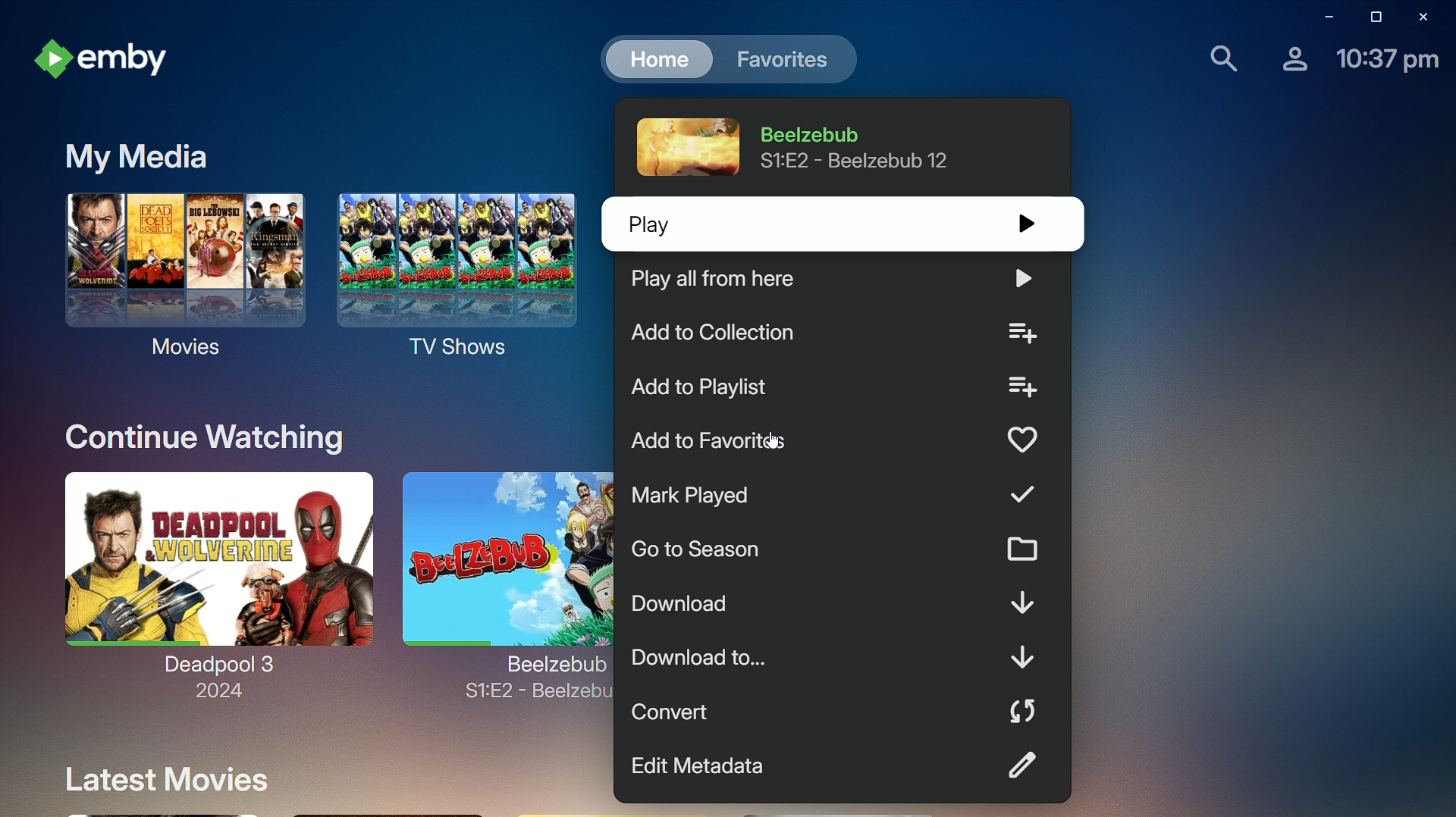 Image resolution: width=1456 pixels, height=817 pixels. Describe the element at coordinates (1327, 17) in the screenshot. I see `Minimize` at that location.